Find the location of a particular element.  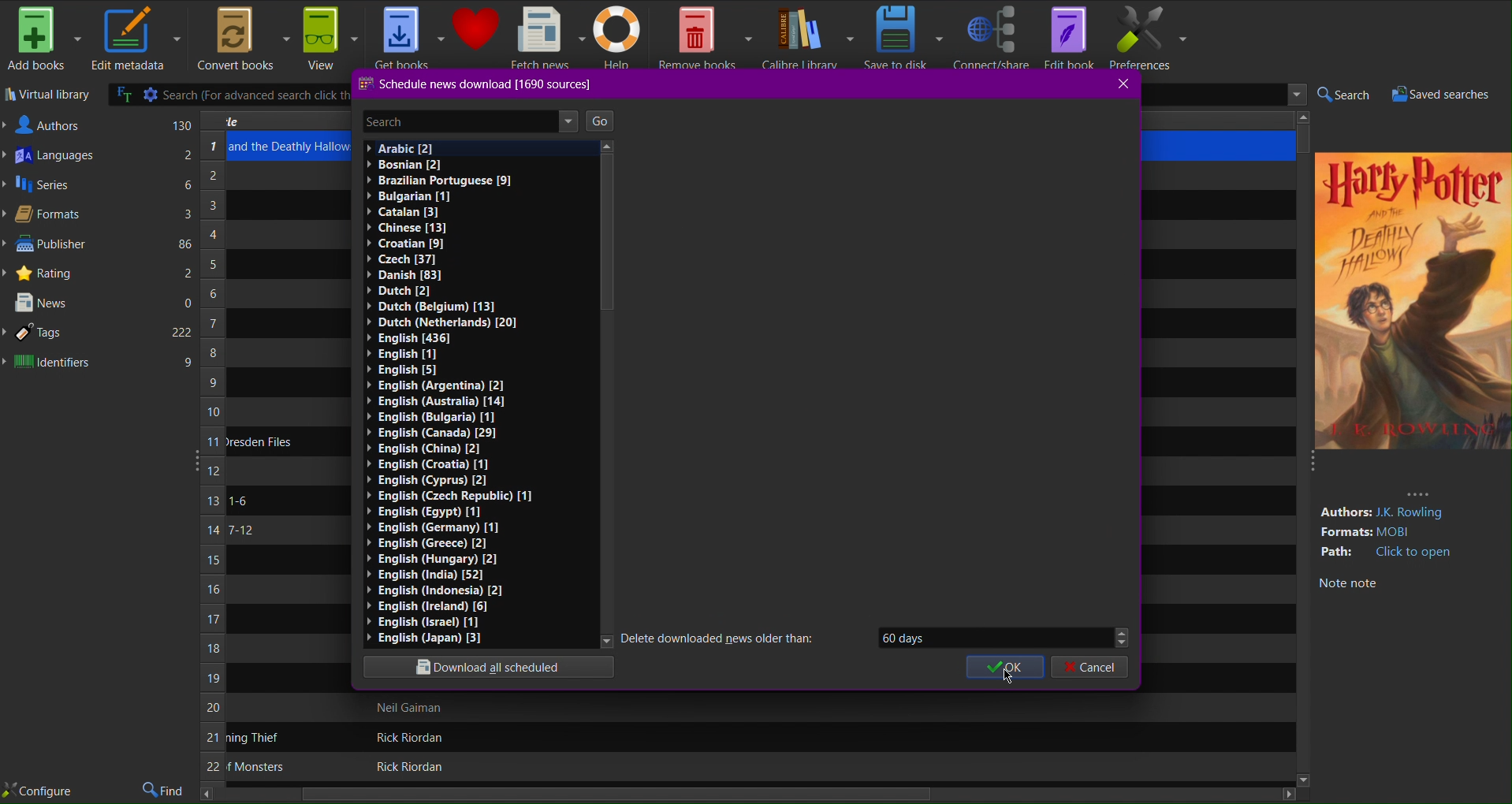

Search (For advanced search click the gear icon to the left) is located at coordinates (229, 95).